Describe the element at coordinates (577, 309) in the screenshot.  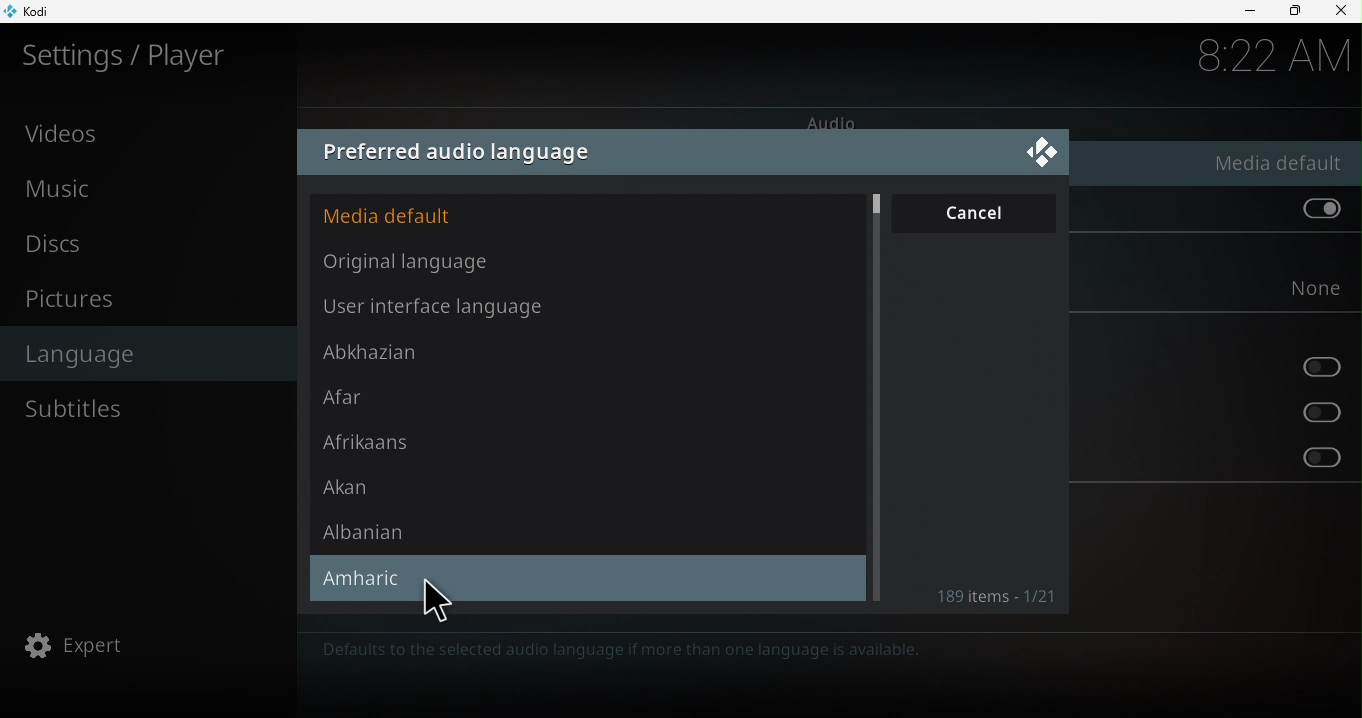
I see `User interface language` at that location.